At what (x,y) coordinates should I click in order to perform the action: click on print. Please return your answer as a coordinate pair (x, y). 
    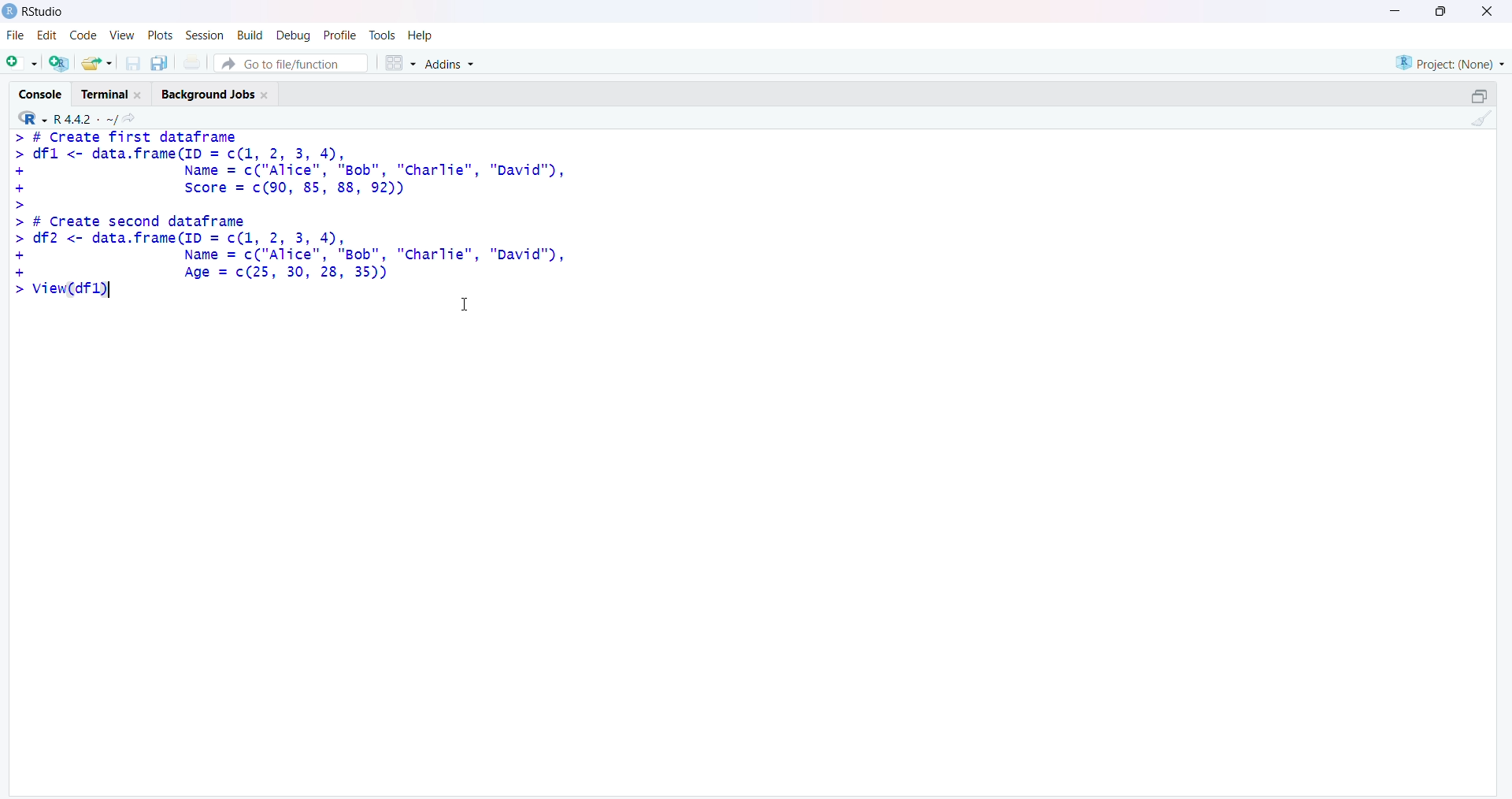
    Looking at the image, I should click on (193, 61).